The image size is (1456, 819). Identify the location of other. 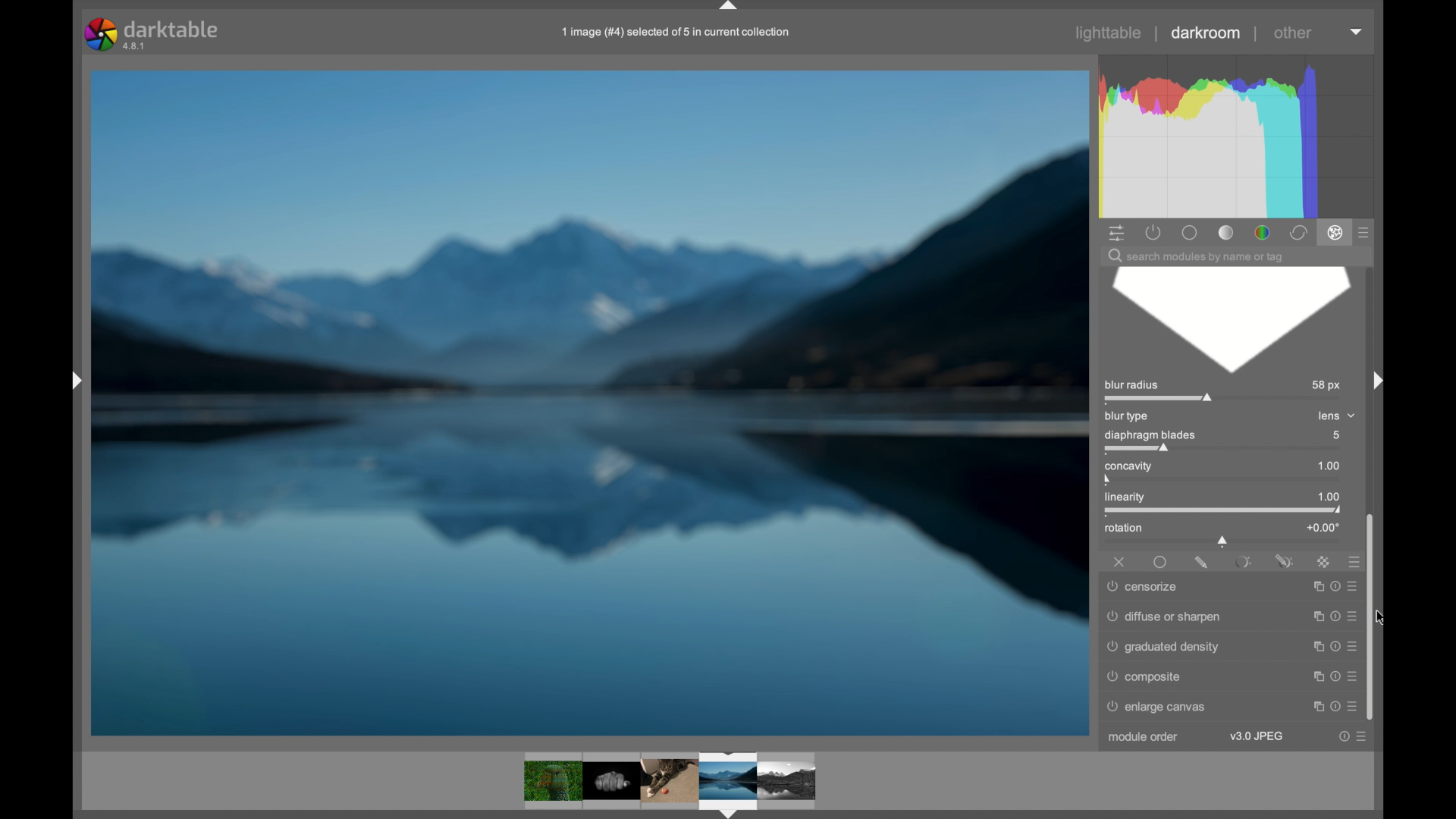
(1293, 33).